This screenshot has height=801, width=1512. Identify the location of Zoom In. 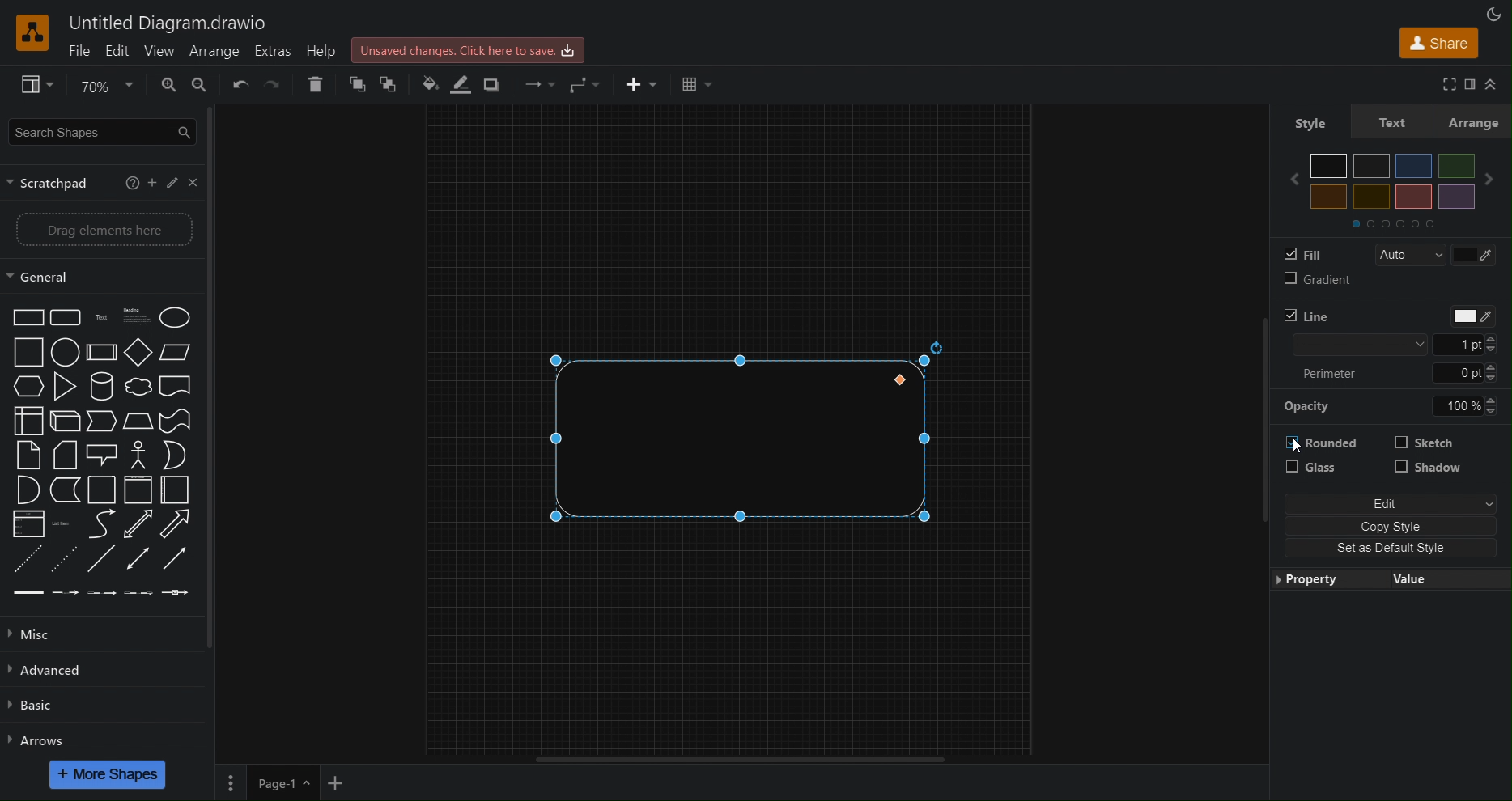
(170, 87).